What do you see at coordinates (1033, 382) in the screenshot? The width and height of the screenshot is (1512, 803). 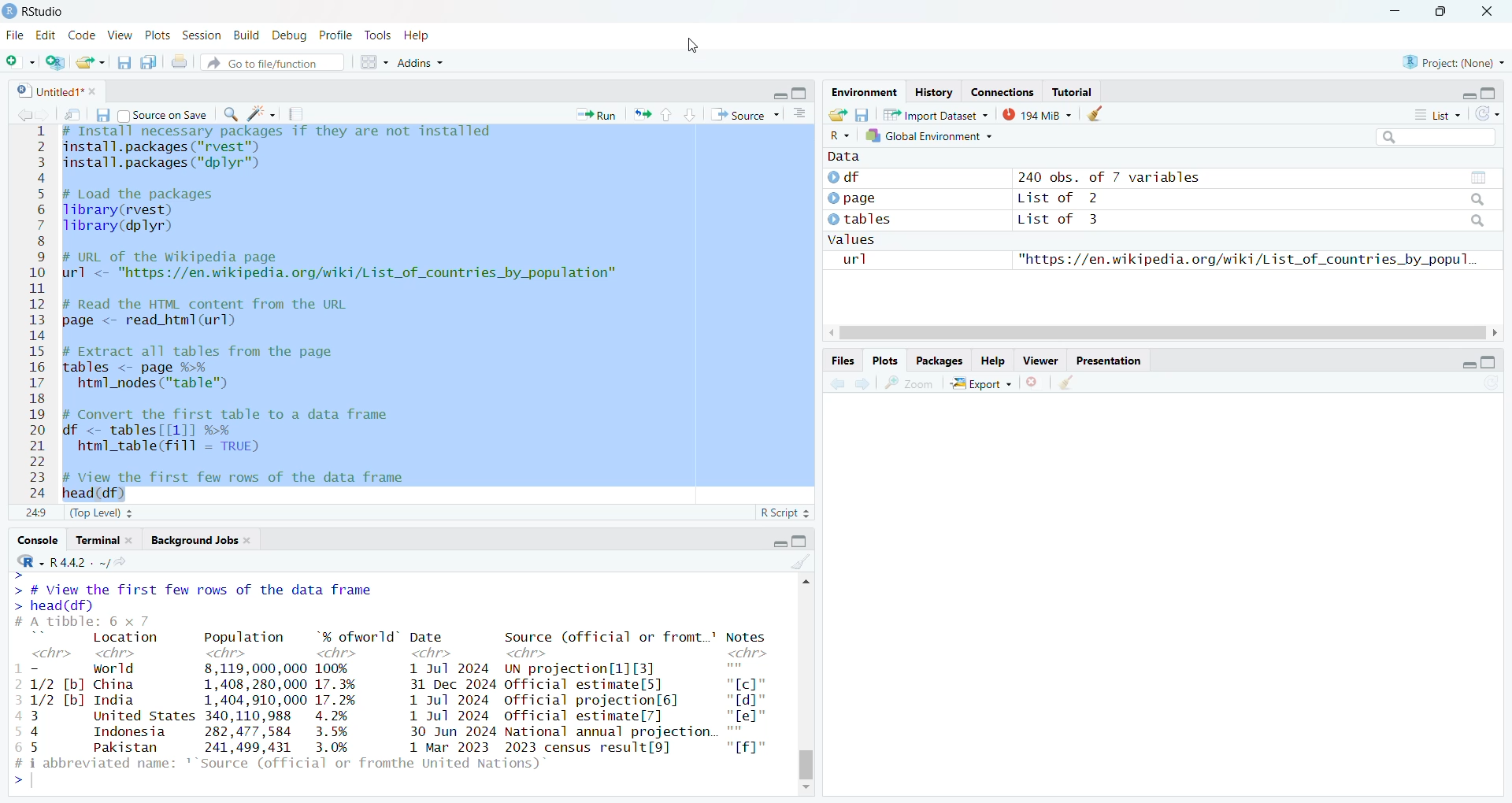 I see `close` at bounding box center [1033, 382].